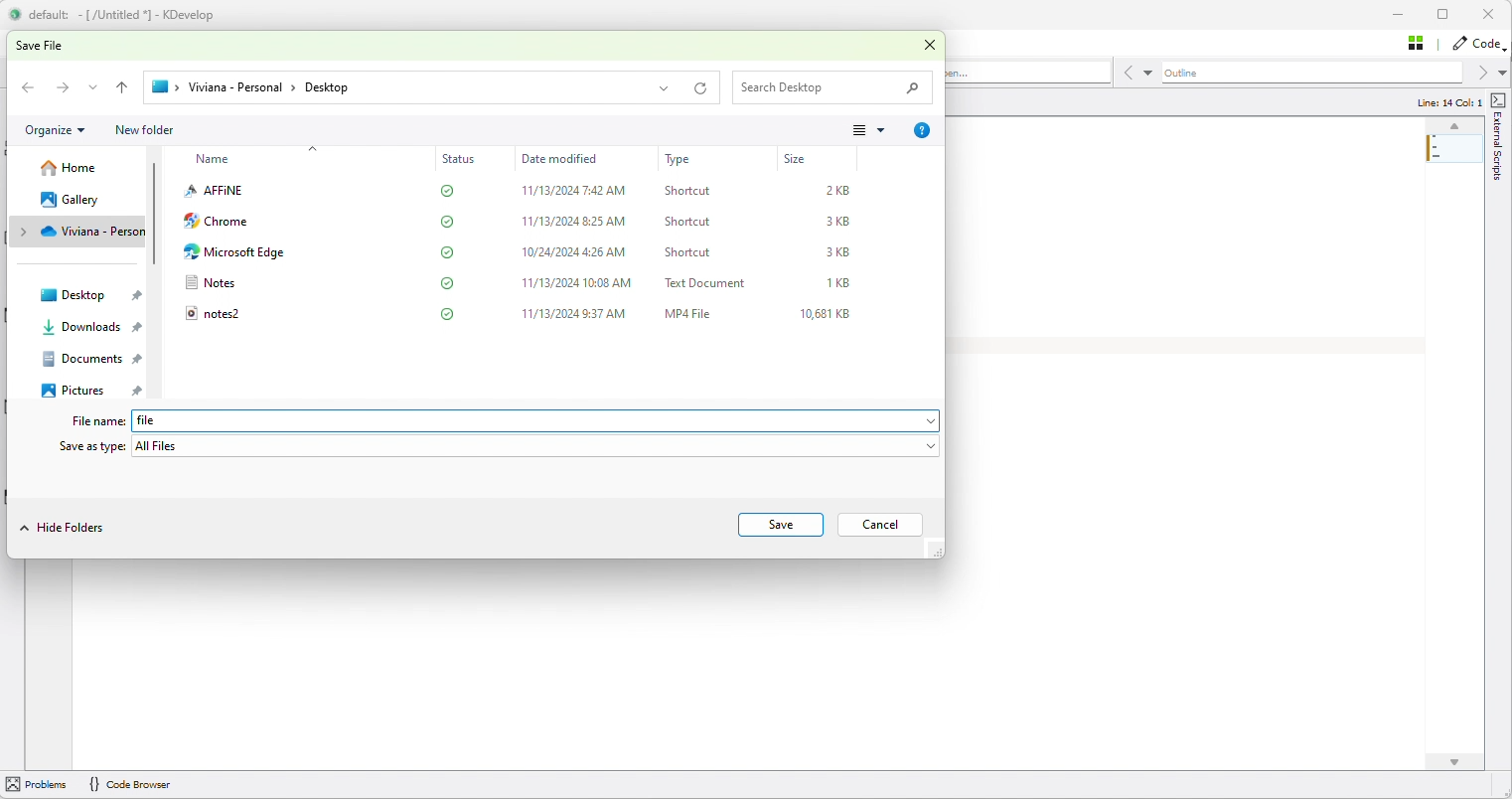 The width and height of the screenshot is (1512, 799). What do you see at coordinates (78, 167) in the screenshot?
I see `Home` at bounding box center [78, 167].